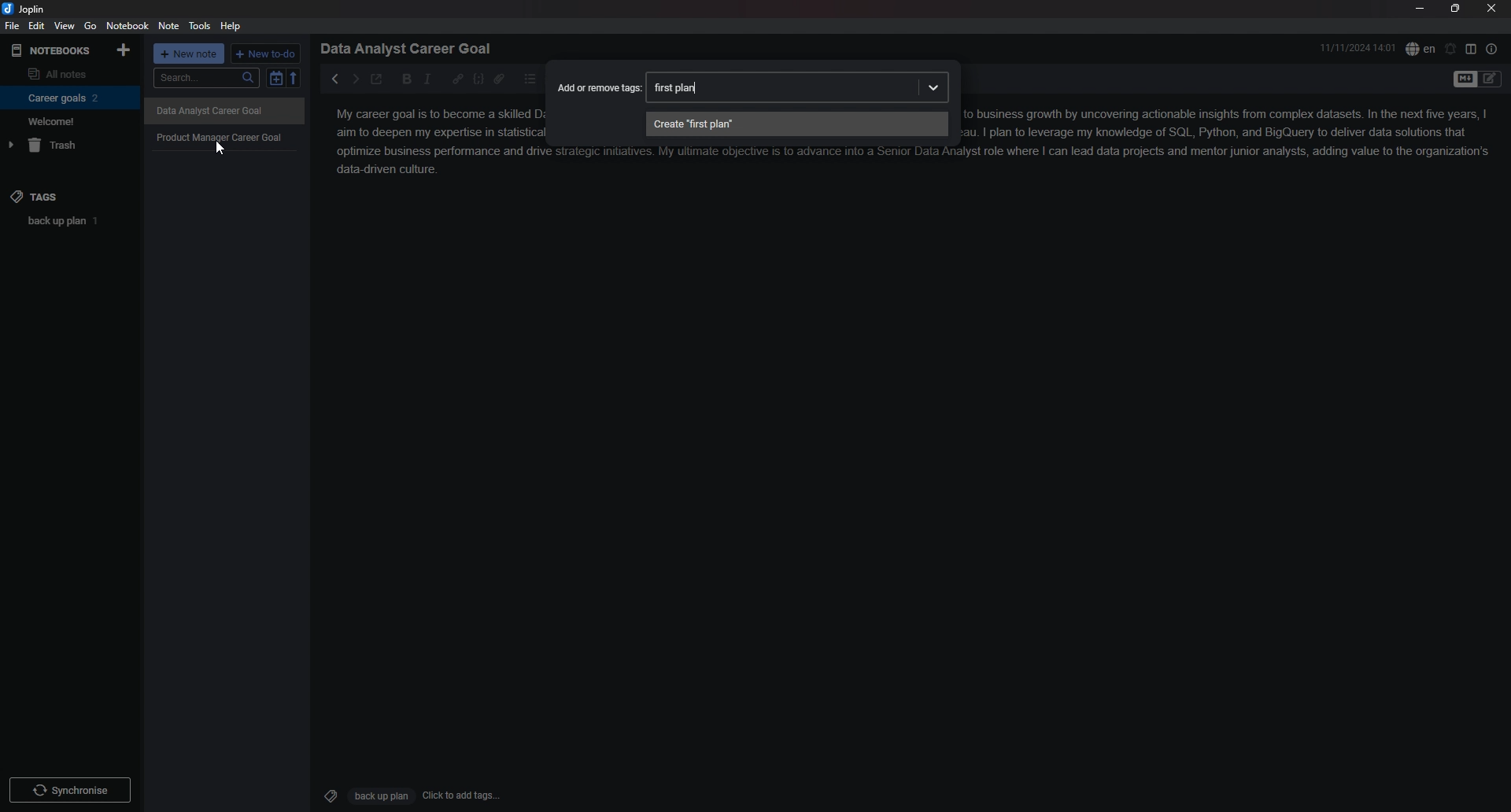 This screenshot has height=812, width=1511. I want to click on back up plan 1, so click(72, 220).